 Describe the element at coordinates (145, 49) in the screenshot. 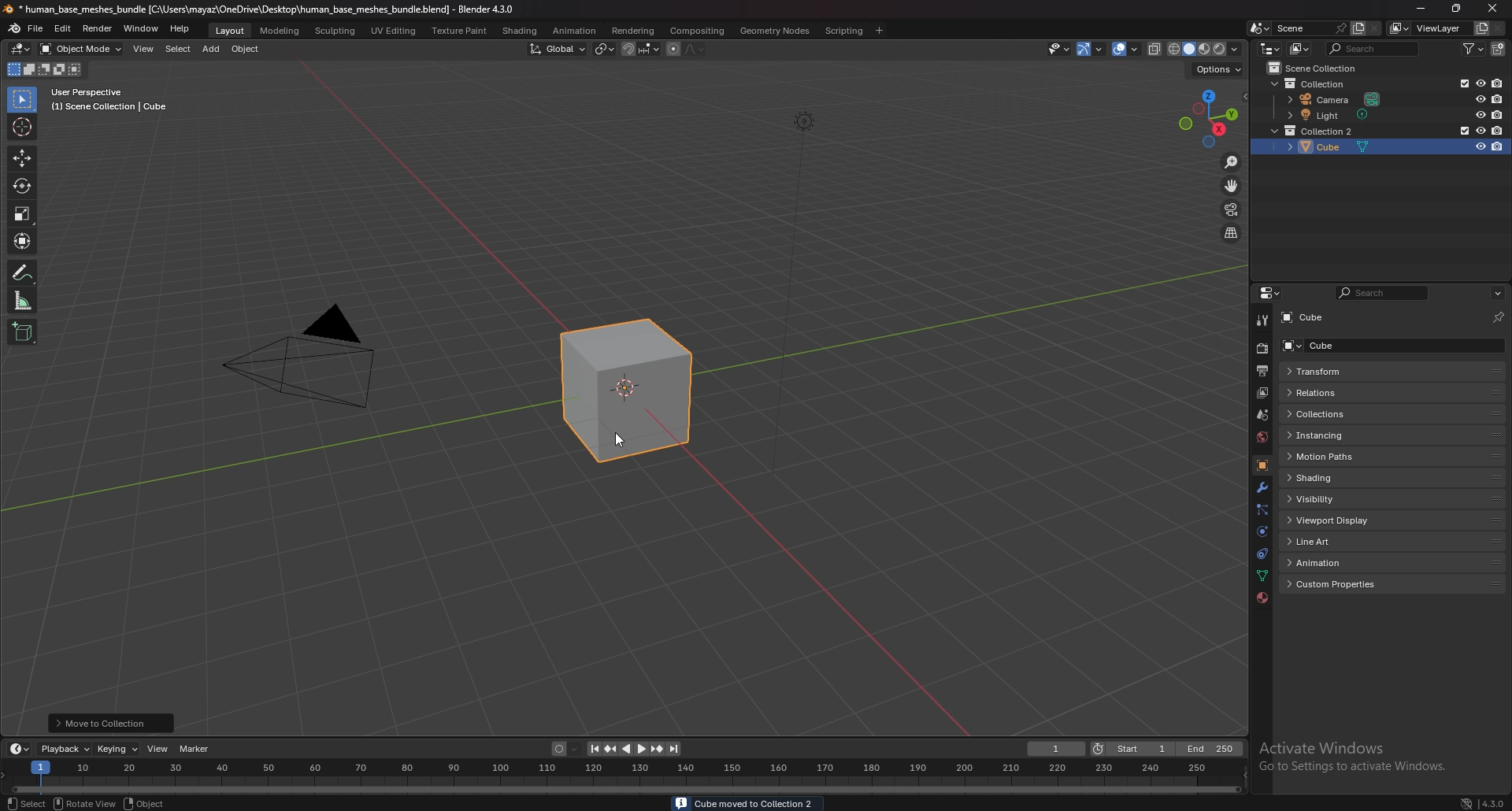

I see `view` at that location.